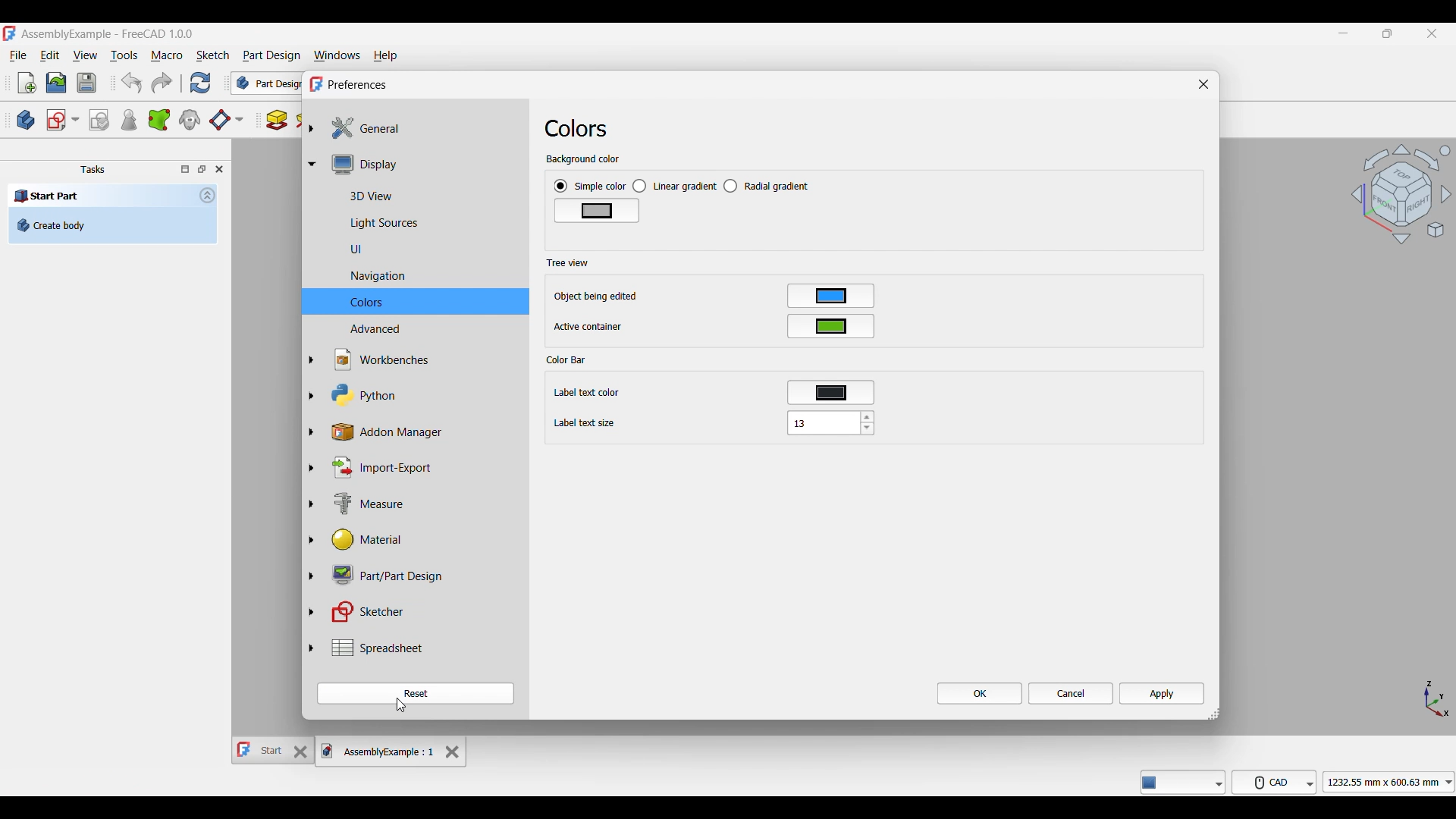 The height and width of the screenshot is (819, 1456). What do you see at coordinates (185, 169) in the screenshot?
I see `Toggle overlay` at bounding box center [185, 169].